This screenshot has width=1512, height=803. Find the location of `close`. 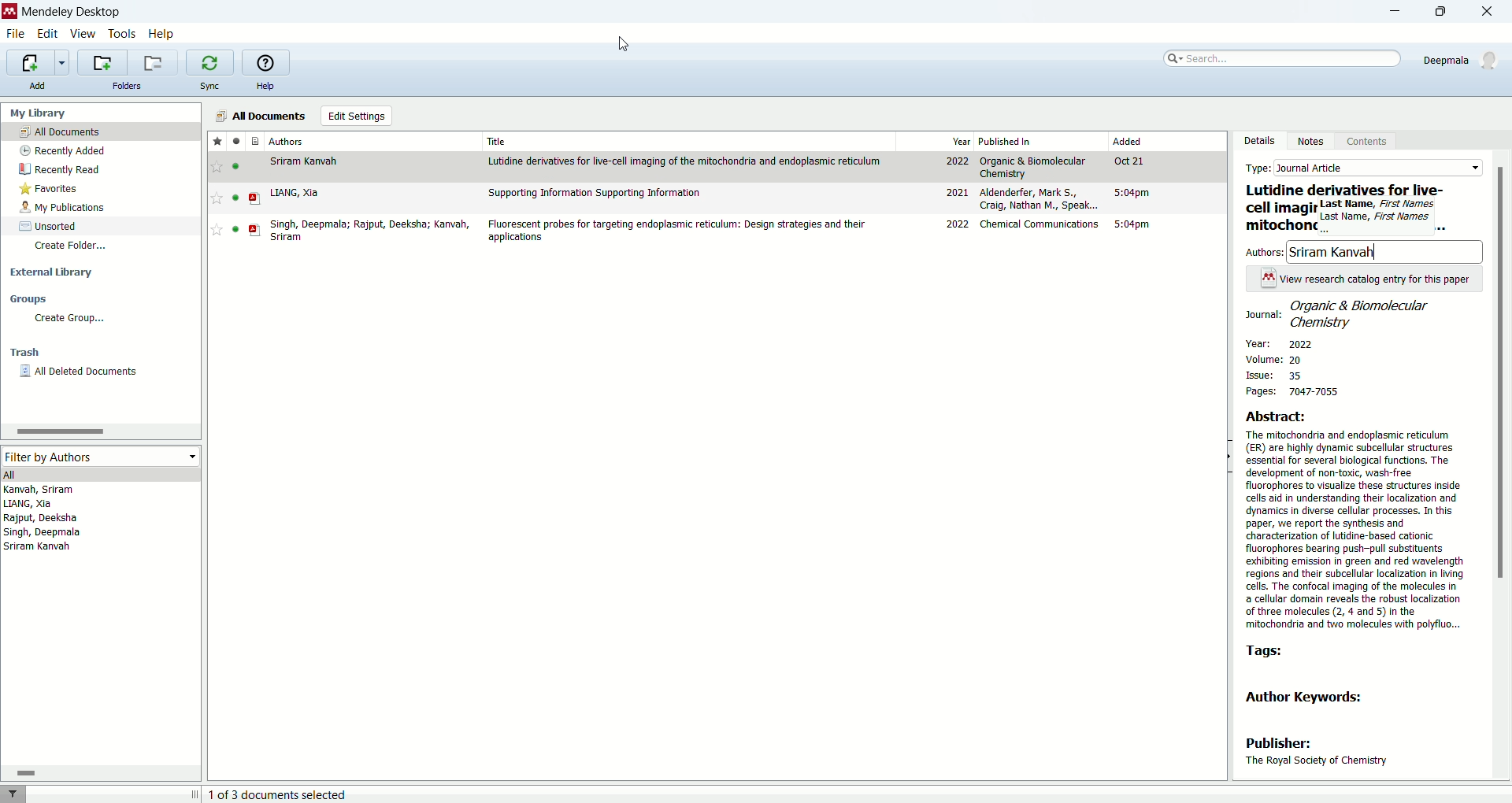

close is located at coordinates (1492, 11).